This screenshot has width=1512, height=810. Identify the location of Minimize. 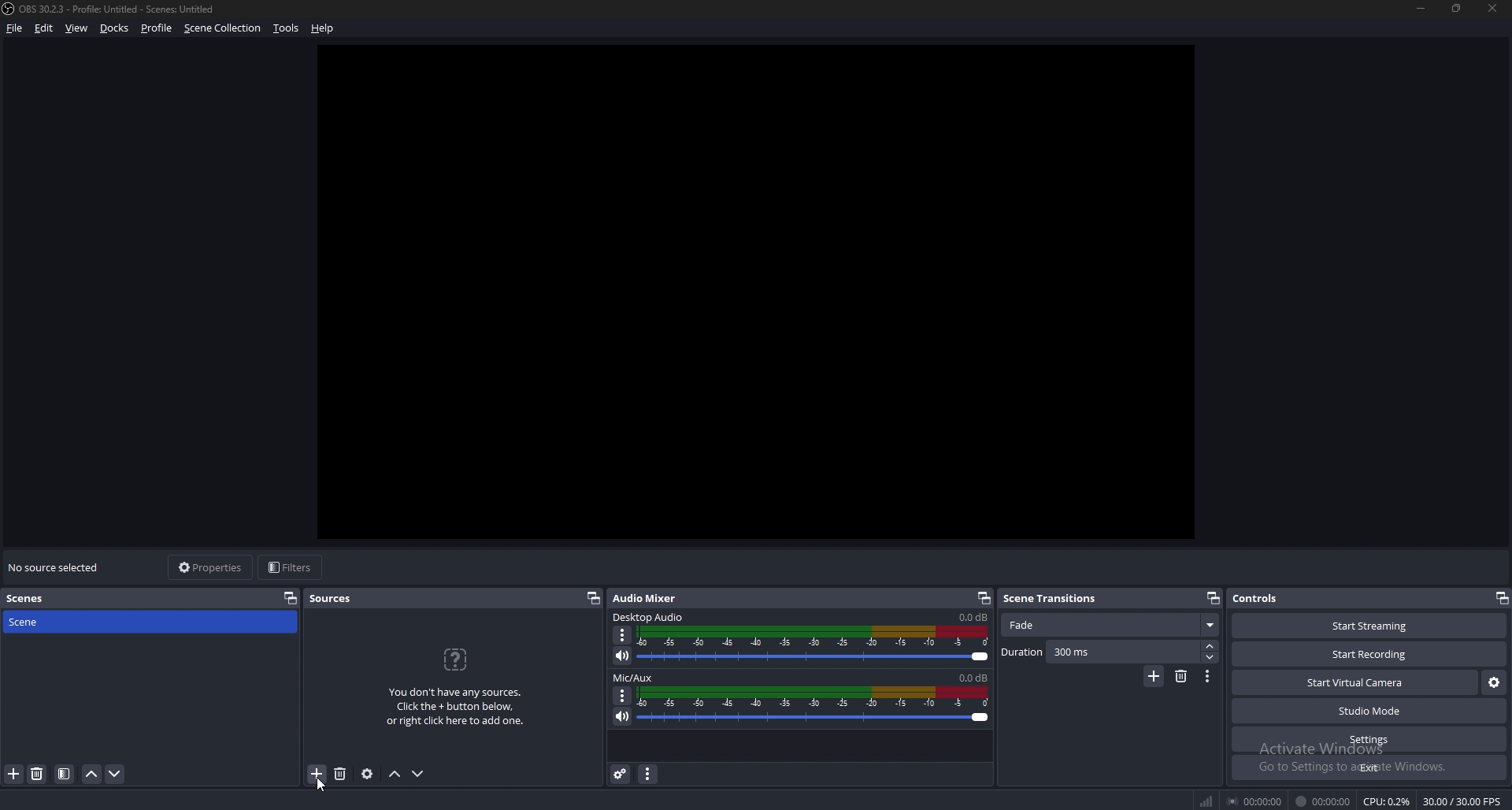
(1420, 8).